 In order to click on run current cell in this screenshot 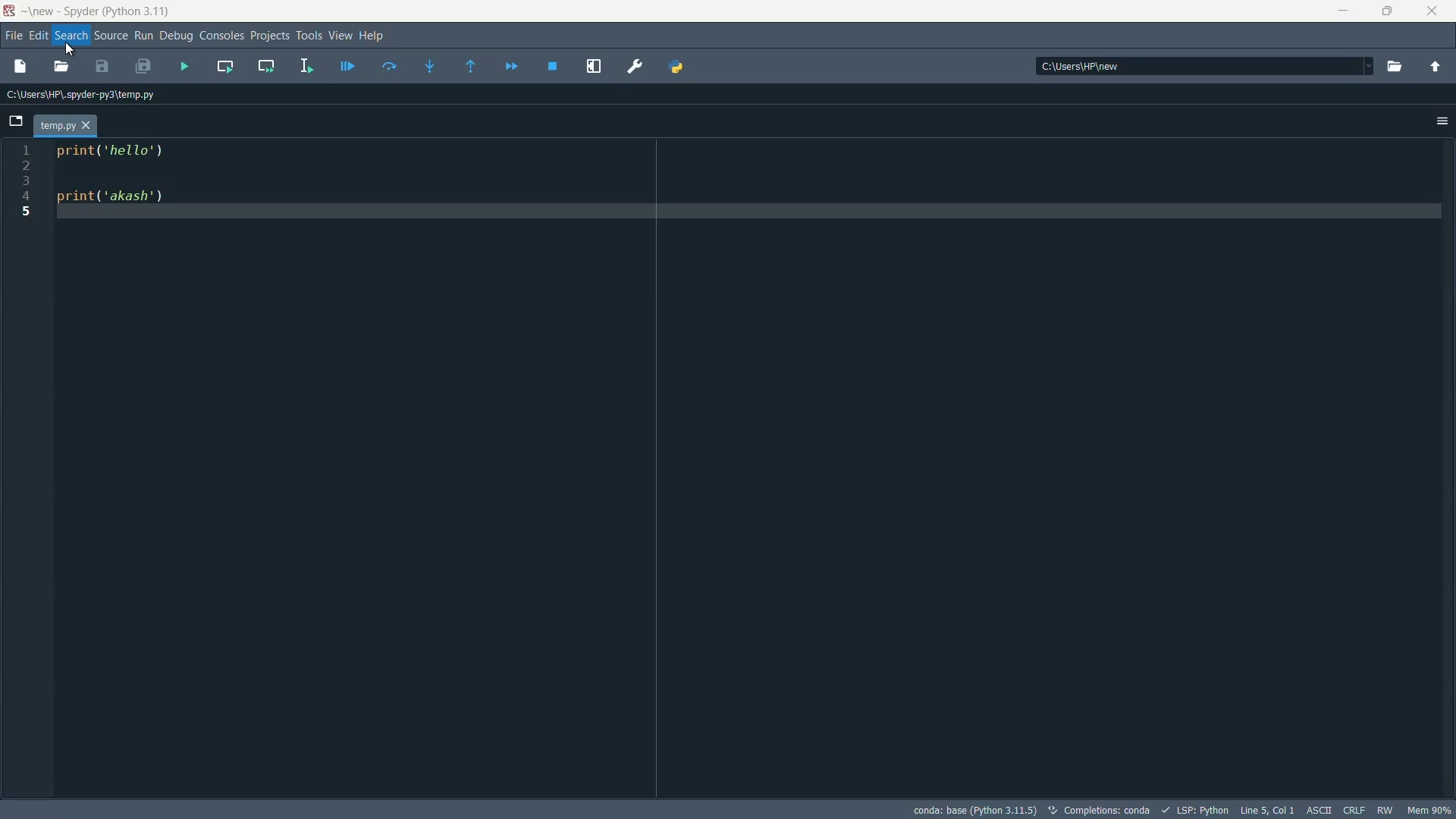, I will do `click(226, 65)`.